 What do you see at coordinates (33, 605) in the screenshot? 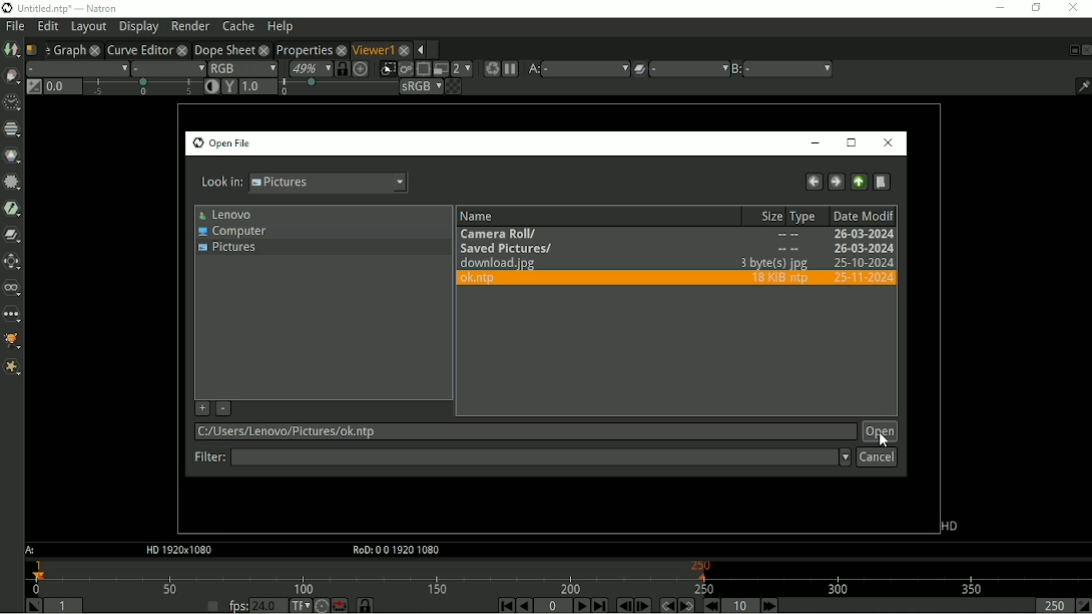
I see `Set playback in point` at bounding box center [33, 605].